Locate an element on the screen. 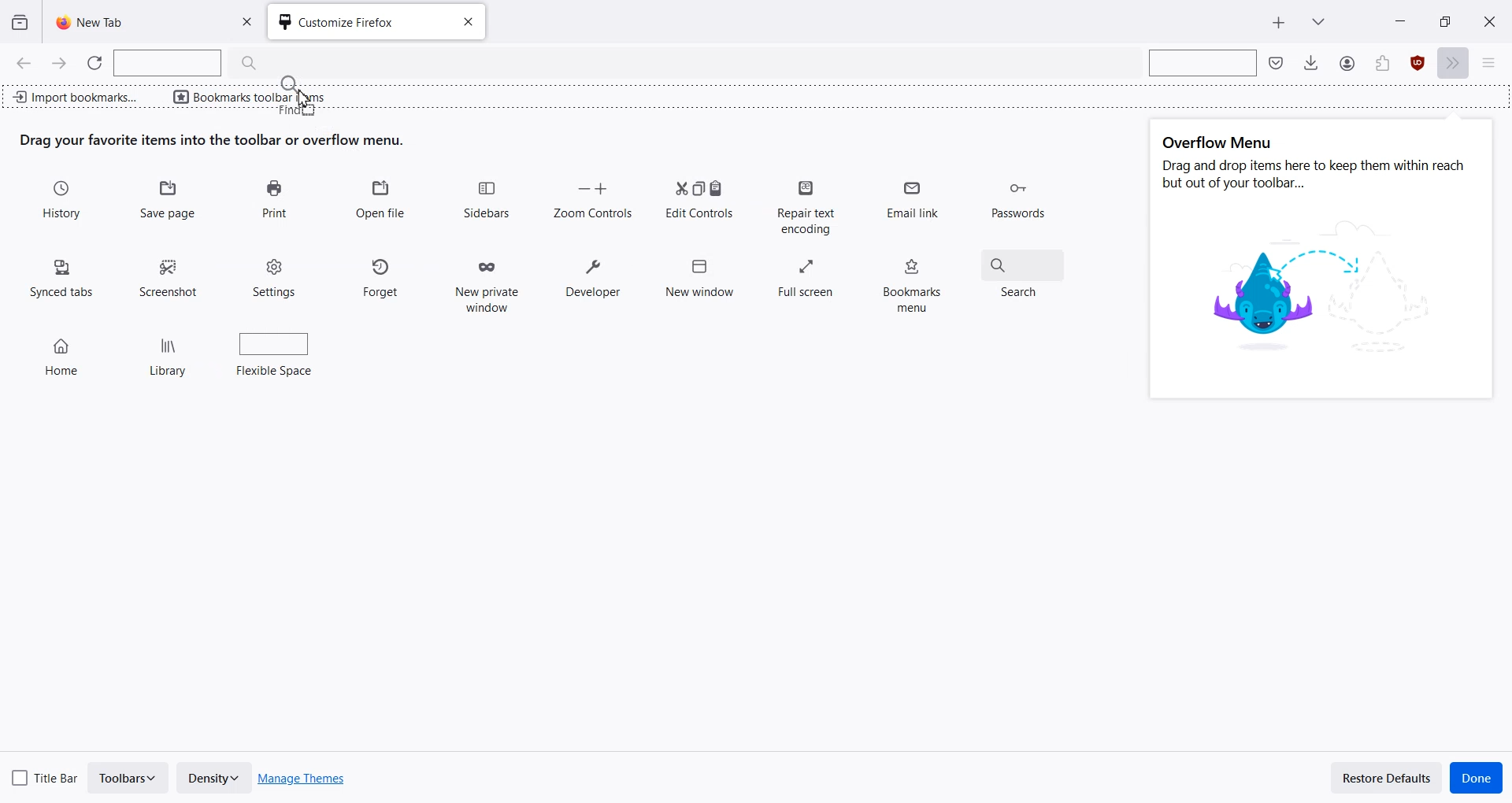  Search bar is located at coordinates (1200, 62).